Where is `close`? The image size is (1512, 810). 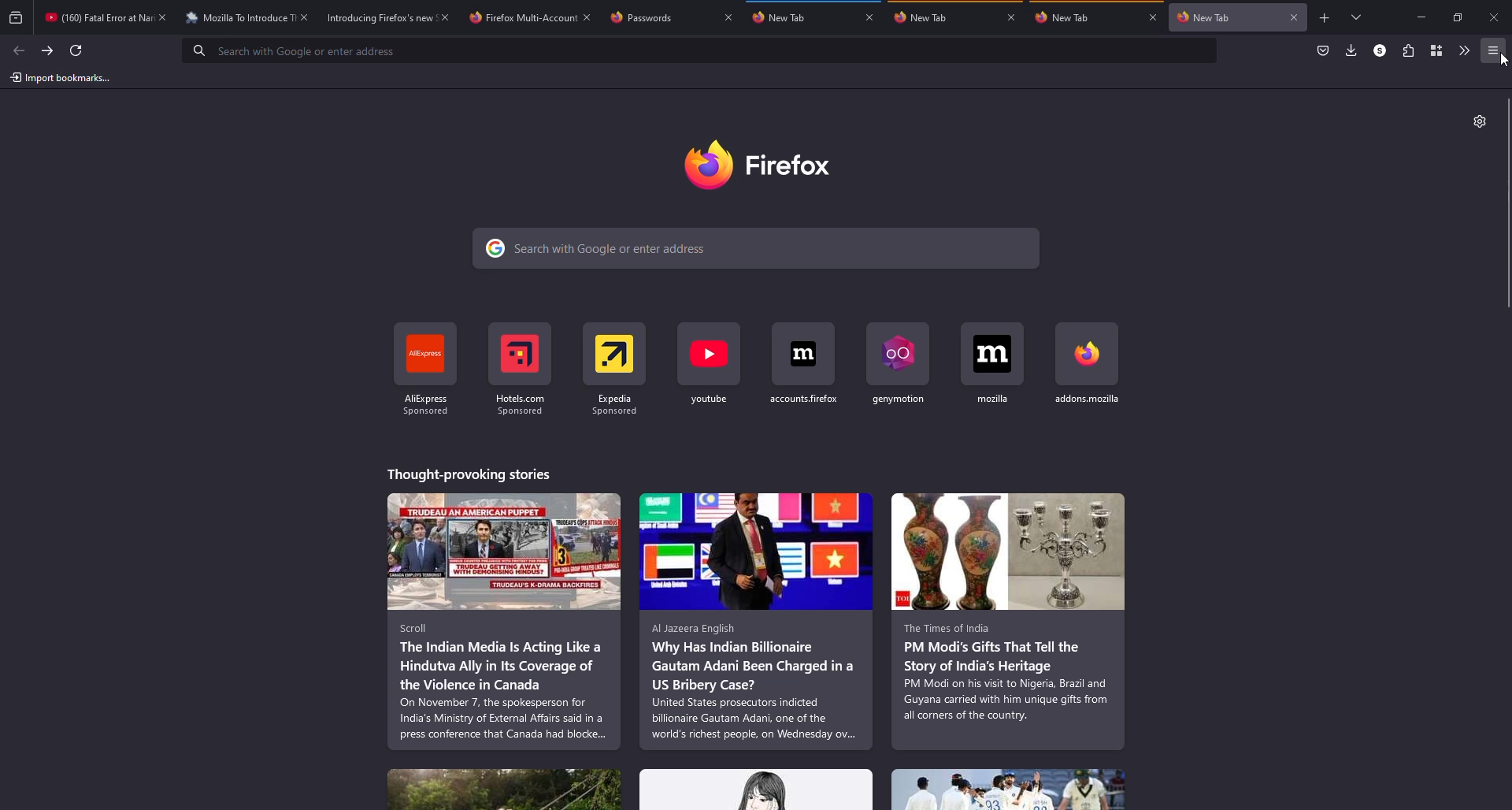 close is located at coordinates (729, 17).